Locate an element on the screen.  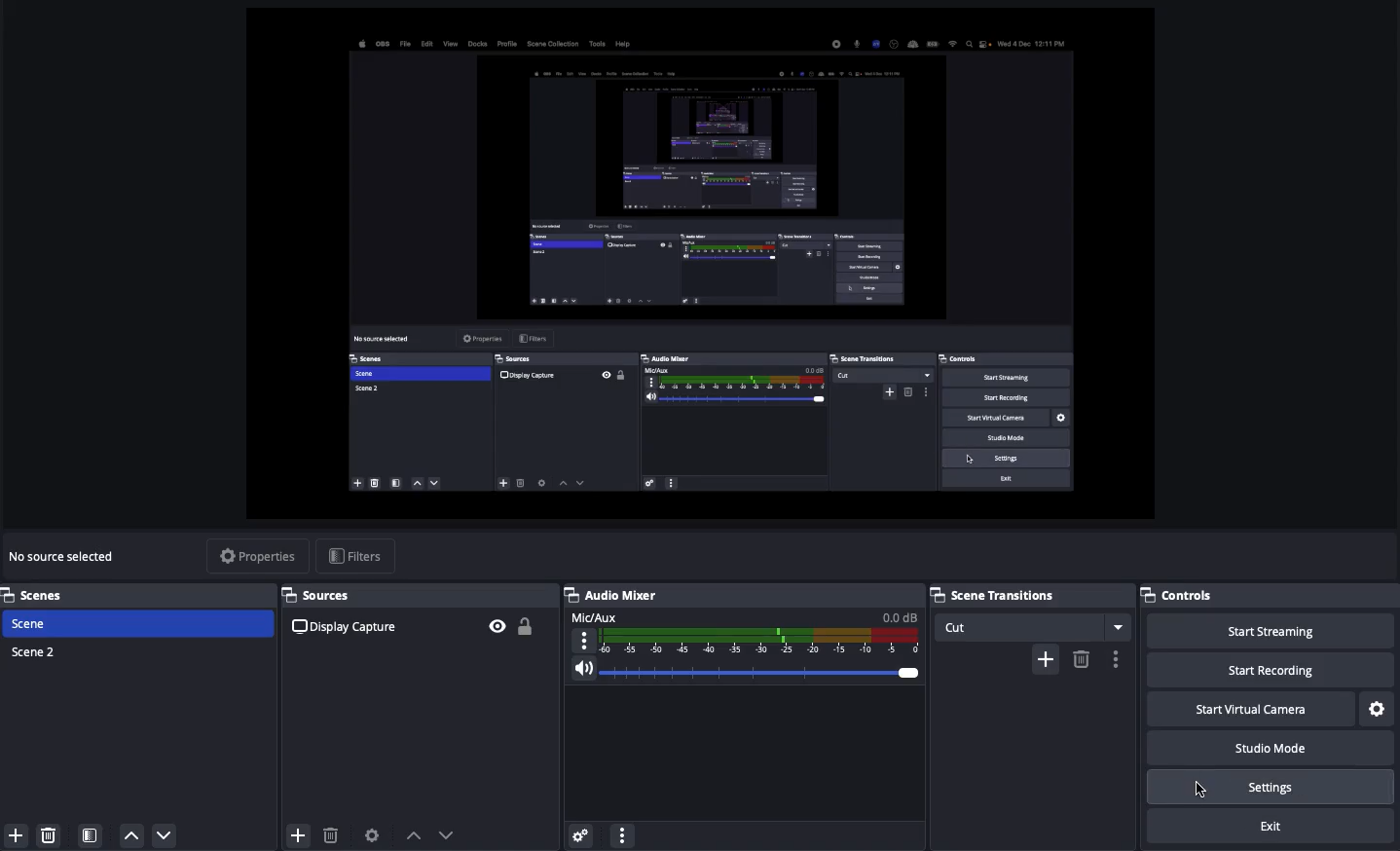
Source is located at coordinates (345, 625).